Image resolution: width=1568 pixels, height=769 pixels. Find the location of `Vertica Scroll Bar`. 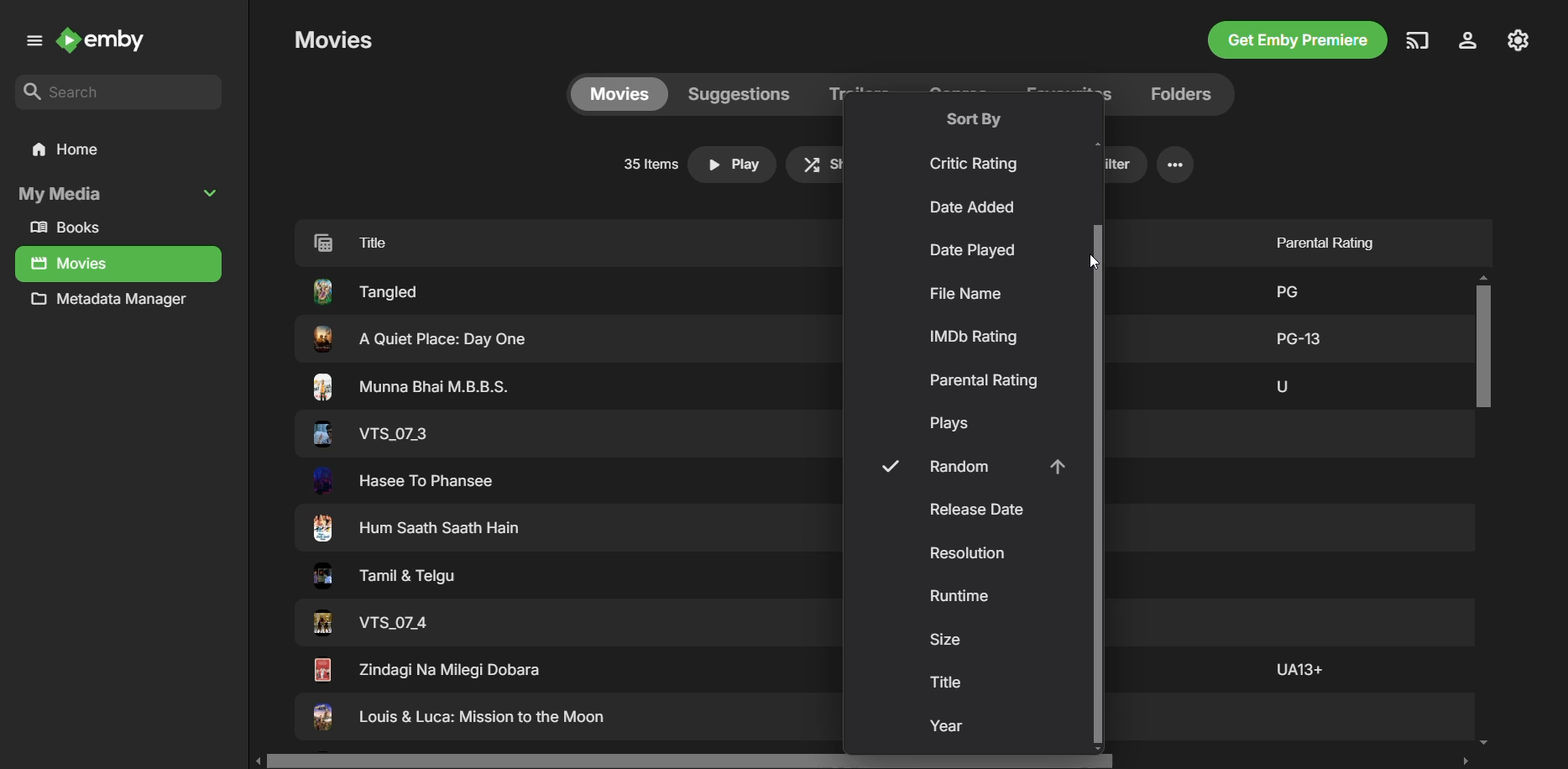

Vertica Scroll Bar is located at coordinates (1484, 512).